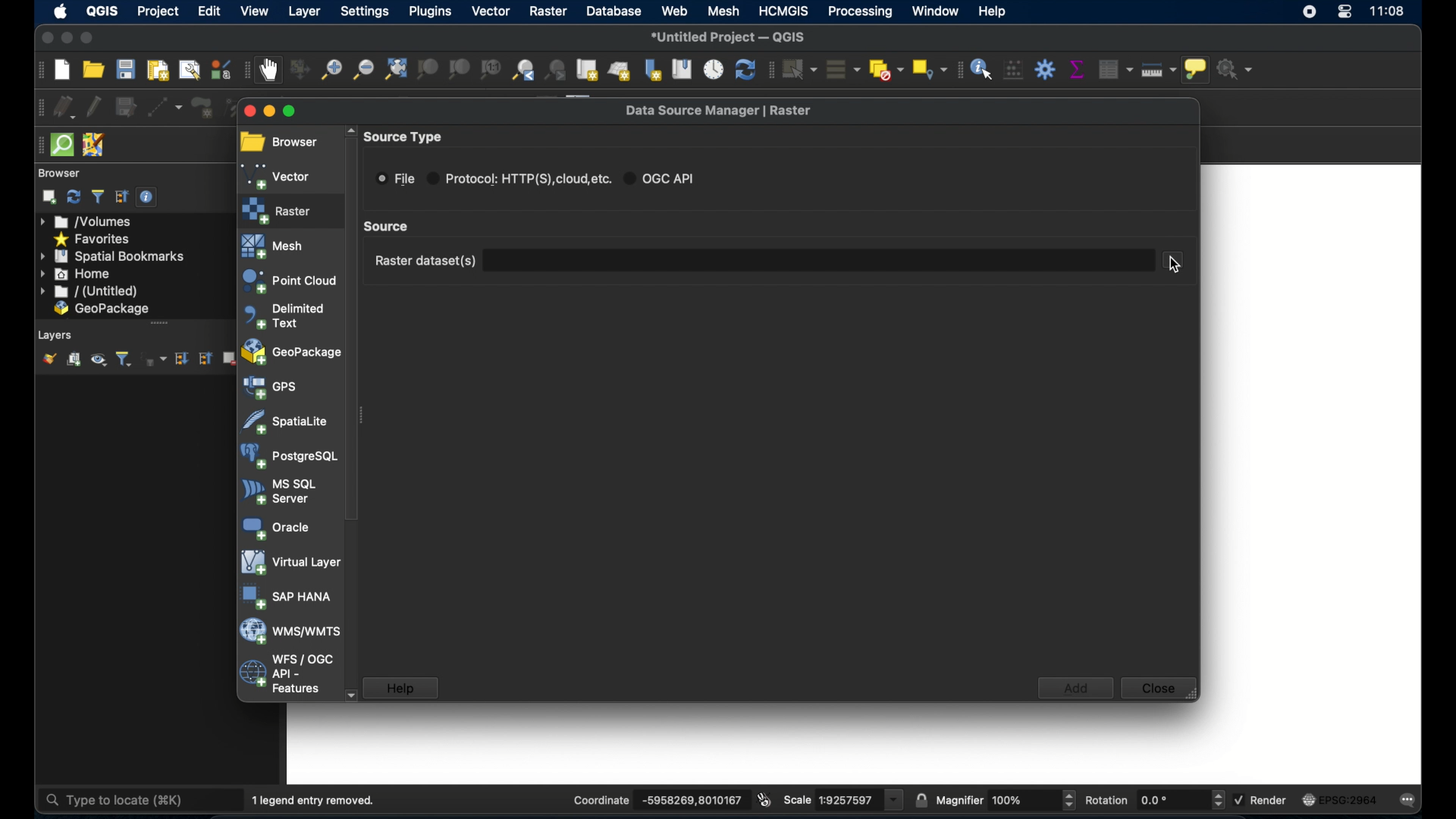 The image size is (1456, 819). Describe the element at coordinates (895, 800) in the screenshot. I see `dropdown` at that location.